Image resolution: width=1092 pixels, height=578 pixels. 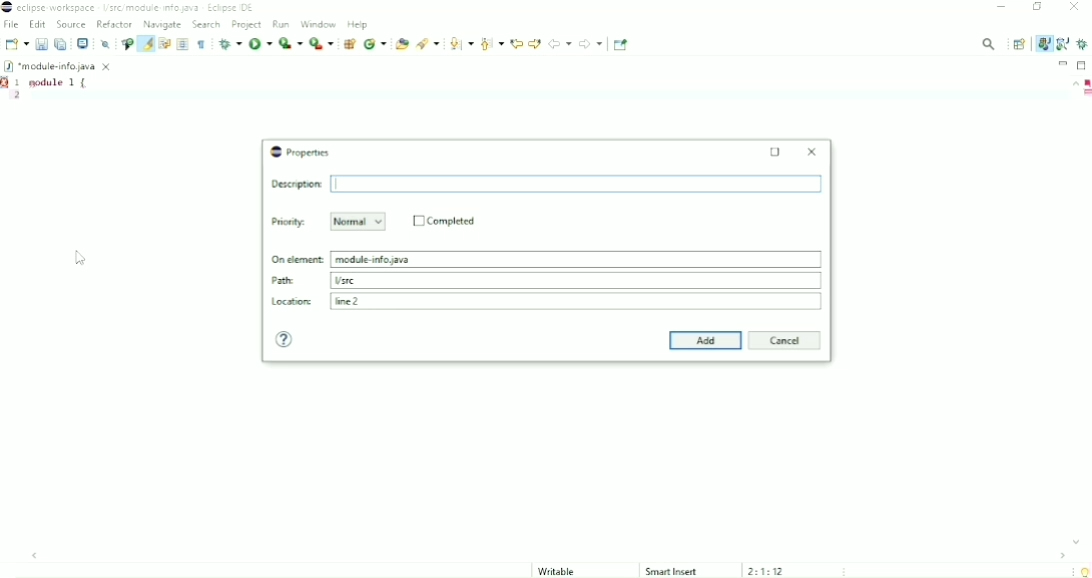 I want to click on Open Type, so click(x=401, y=44).